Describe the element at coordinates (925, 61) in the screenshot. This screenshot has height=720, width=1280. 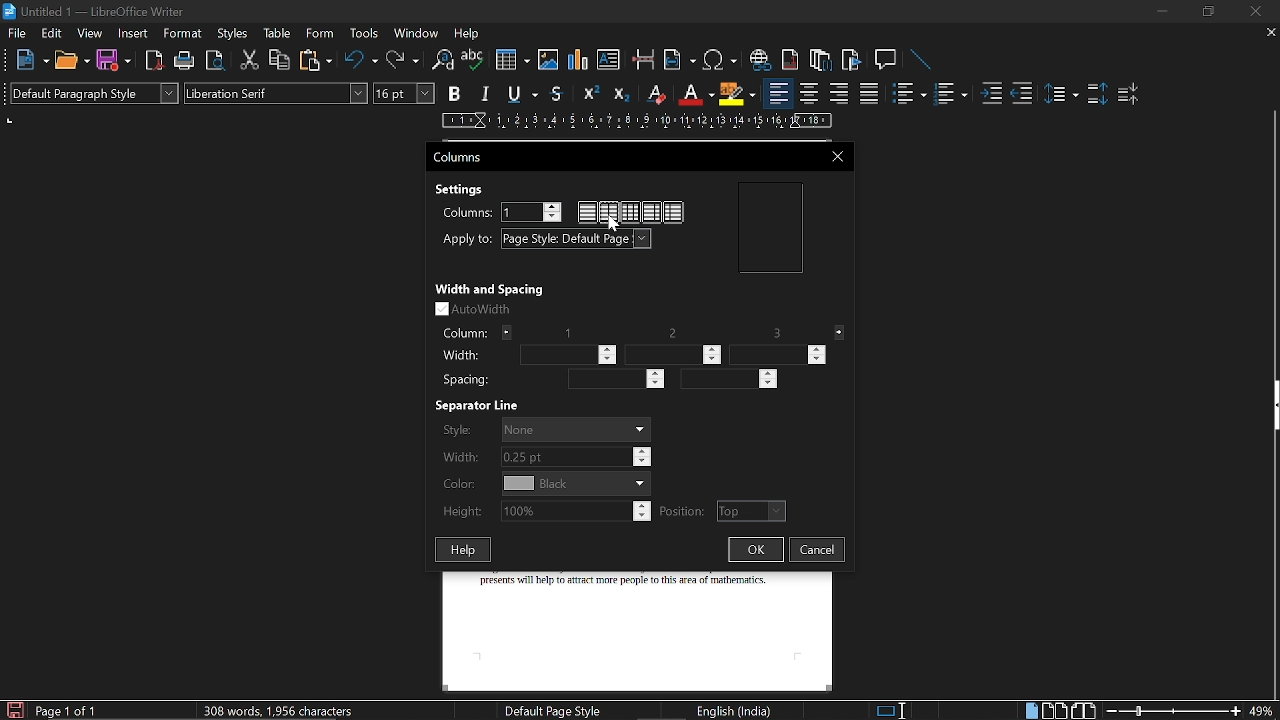
I see `Line` at that location.